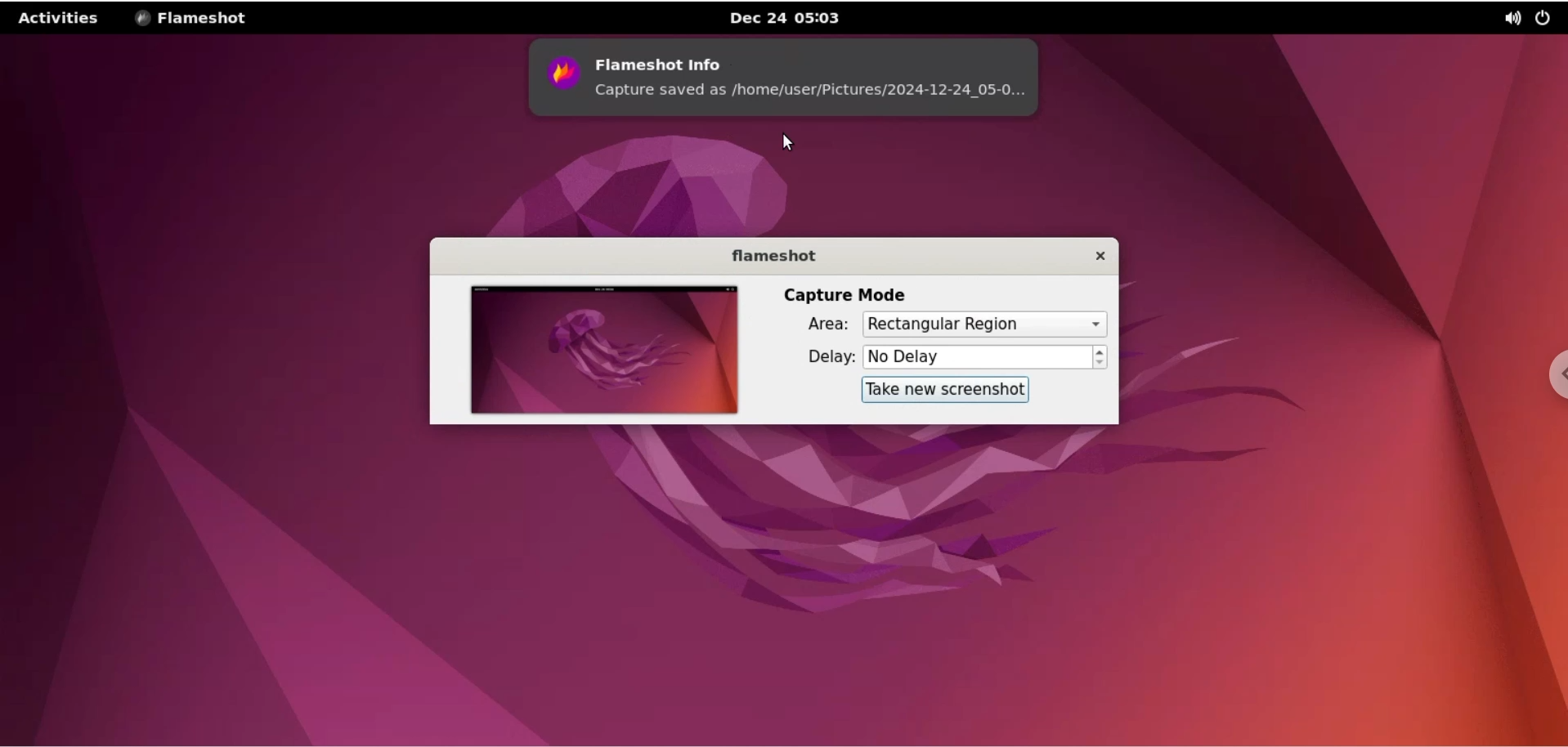 The width and height of the screenshot is (1568, 747). What do you see at coordinates (820, 56) in the screenshot?
I see `flameshot info` at bounding box center [820, 56].